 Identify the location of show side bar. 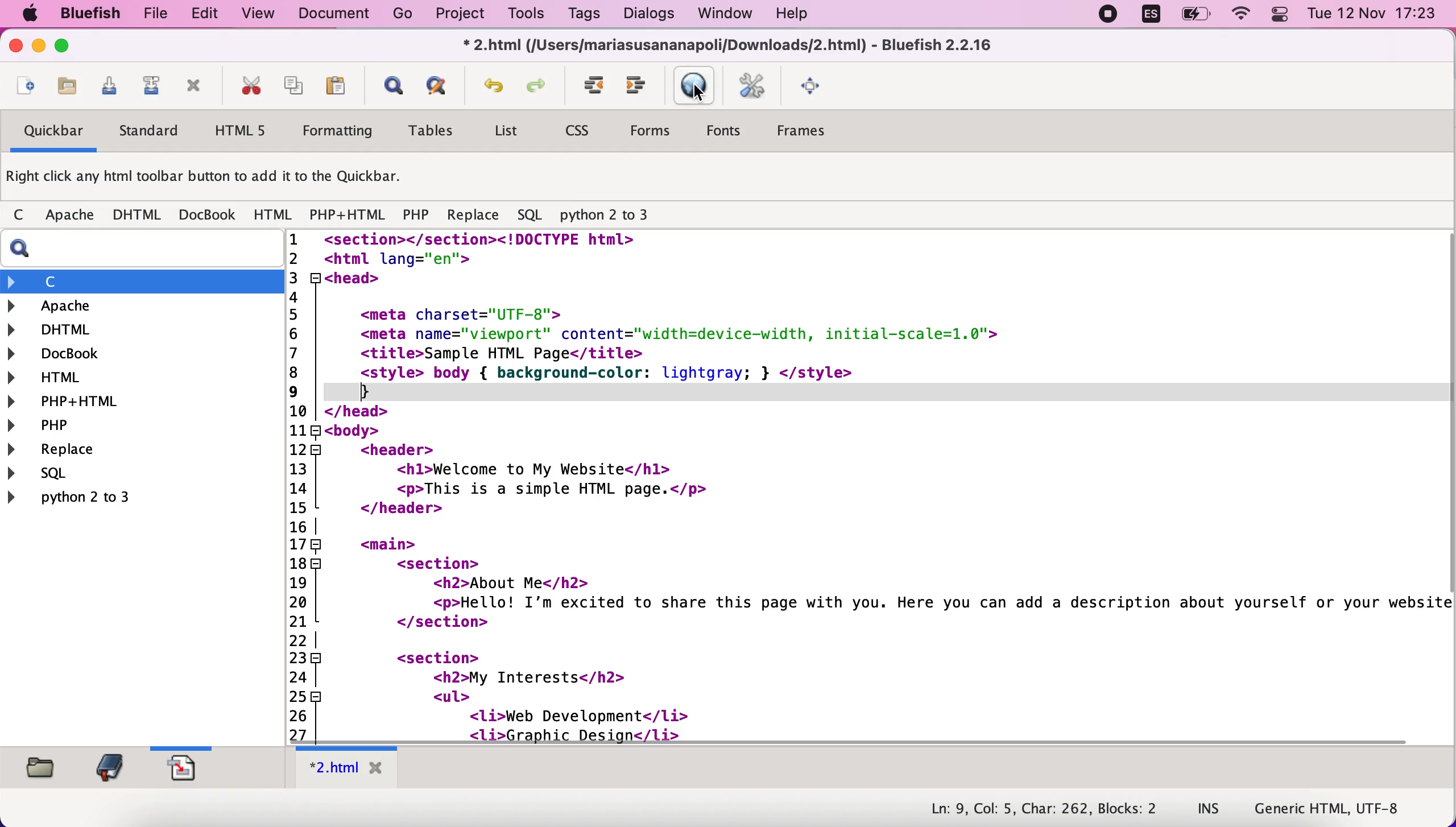
(392, 86).